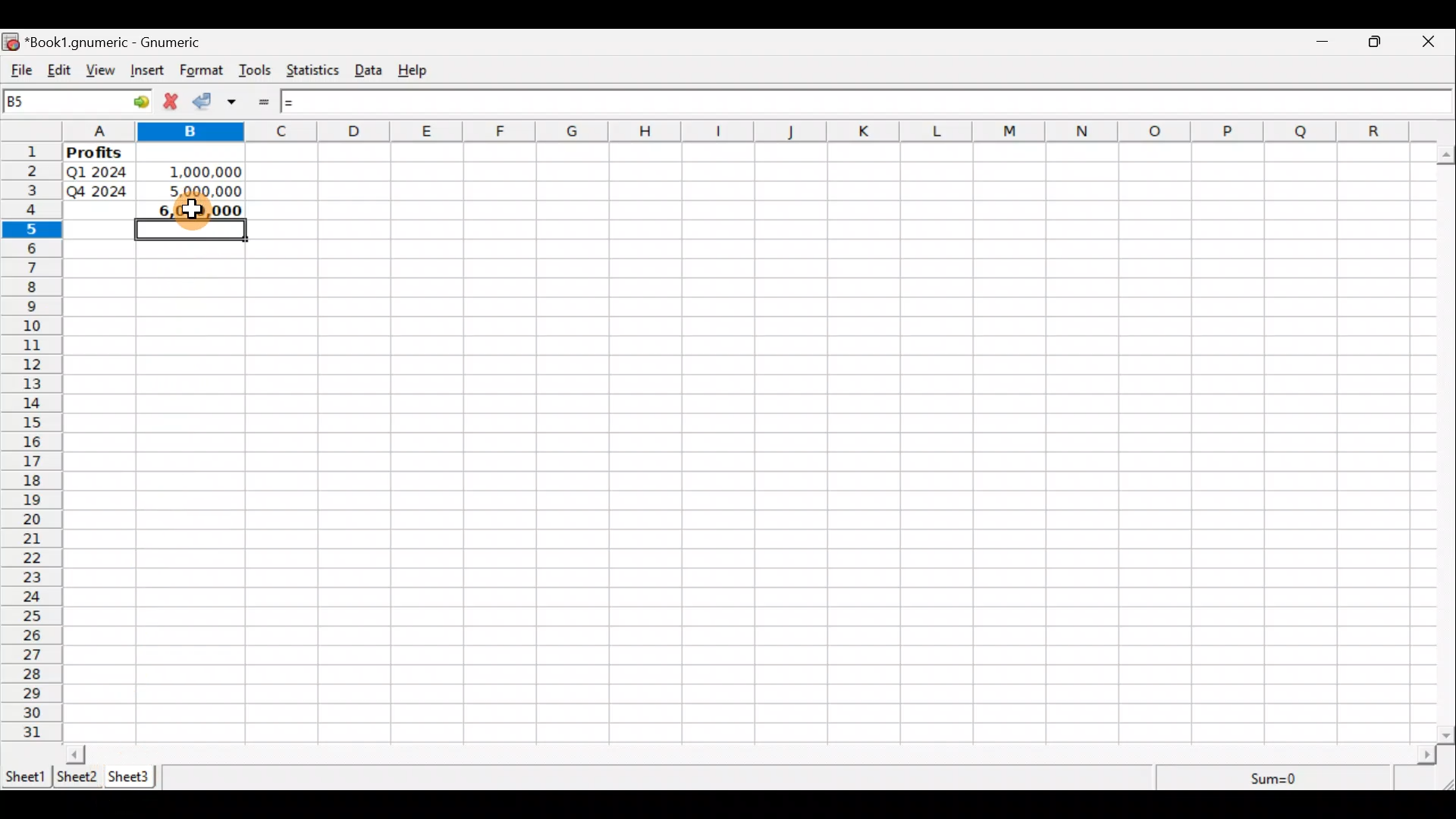 The height and width of the screenshot is (819, 1456). I want to click on Help, so click(420, 71).